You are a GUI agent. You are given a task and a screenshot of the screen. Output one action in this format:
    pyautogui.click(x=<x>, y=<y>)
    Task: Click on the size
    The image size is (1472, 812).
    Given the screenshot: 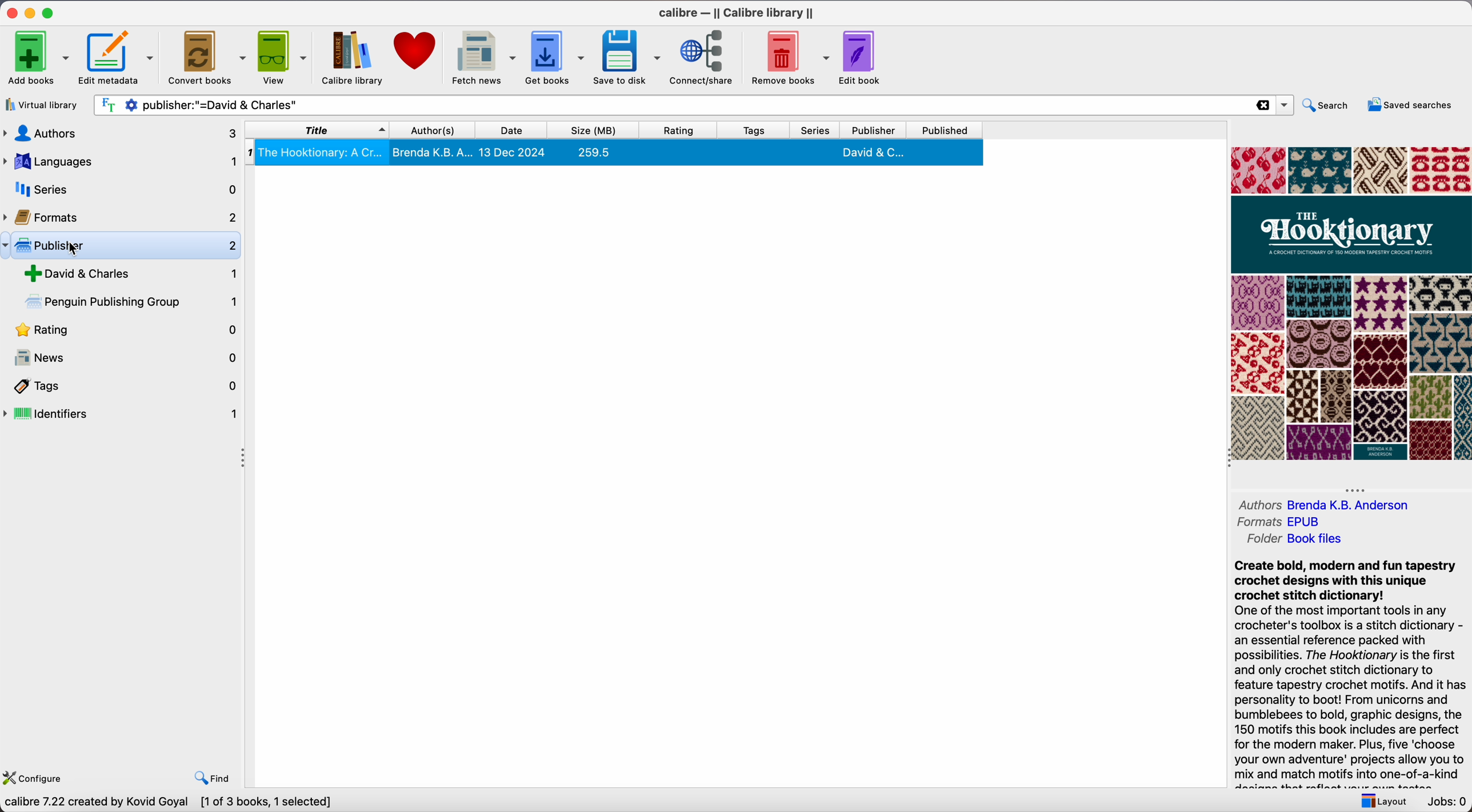 What is the action you would take?
    pyautogui.click(x=599, y=130)
    